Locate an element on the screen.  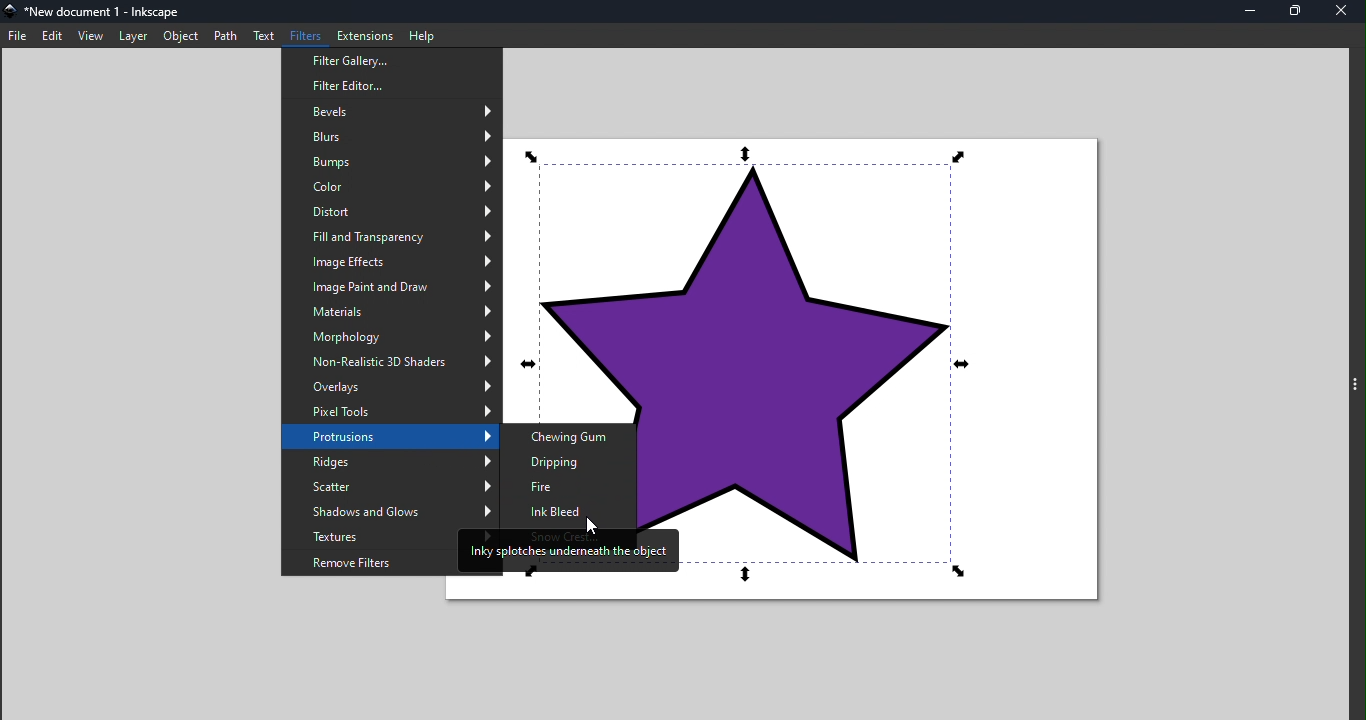
Image Paint and Draw is located at coordinates (391, 285).